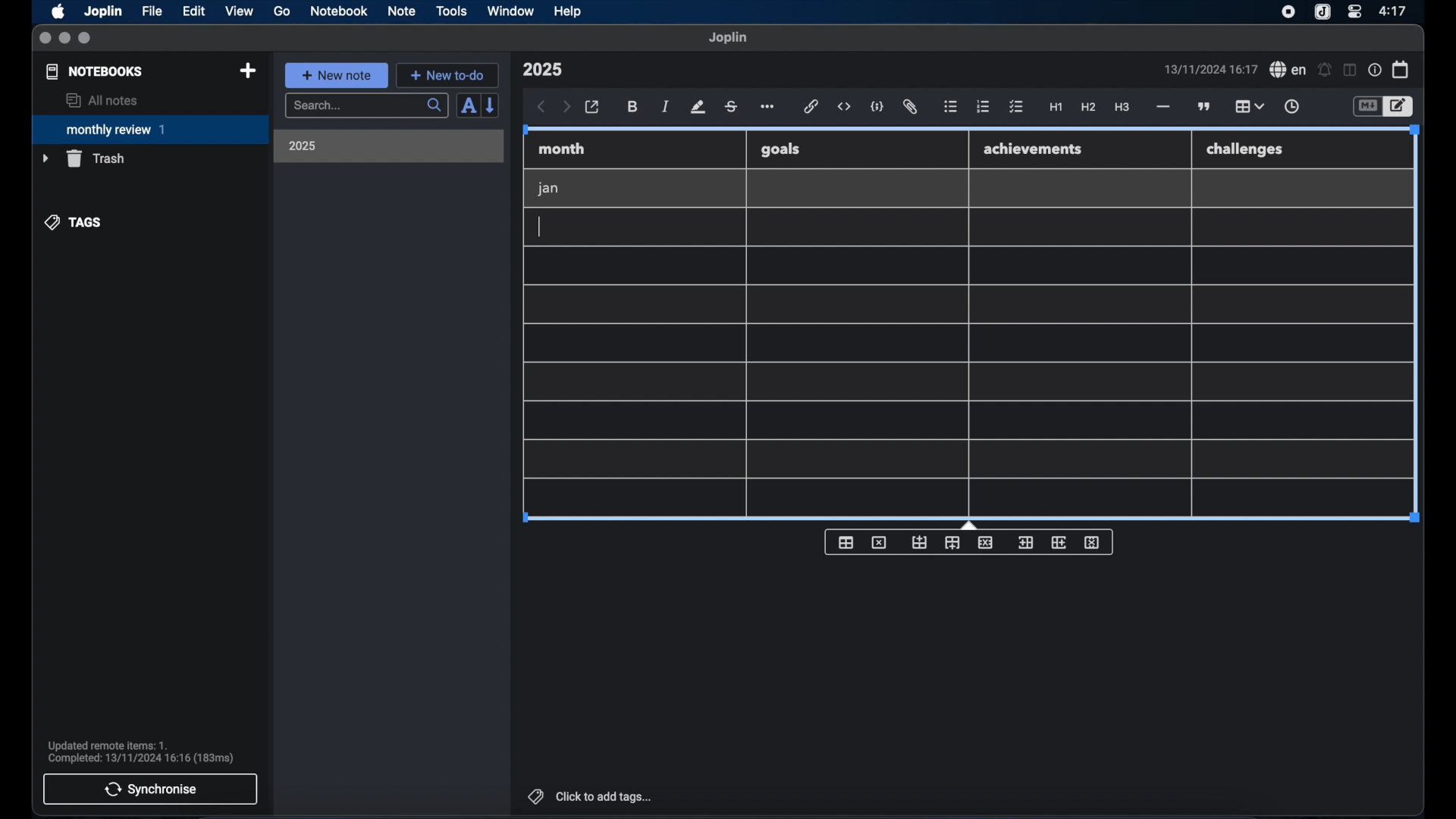 The width and height of the screenshot is (1456, 819). I want to click on set alarm, so click(1325, 71).